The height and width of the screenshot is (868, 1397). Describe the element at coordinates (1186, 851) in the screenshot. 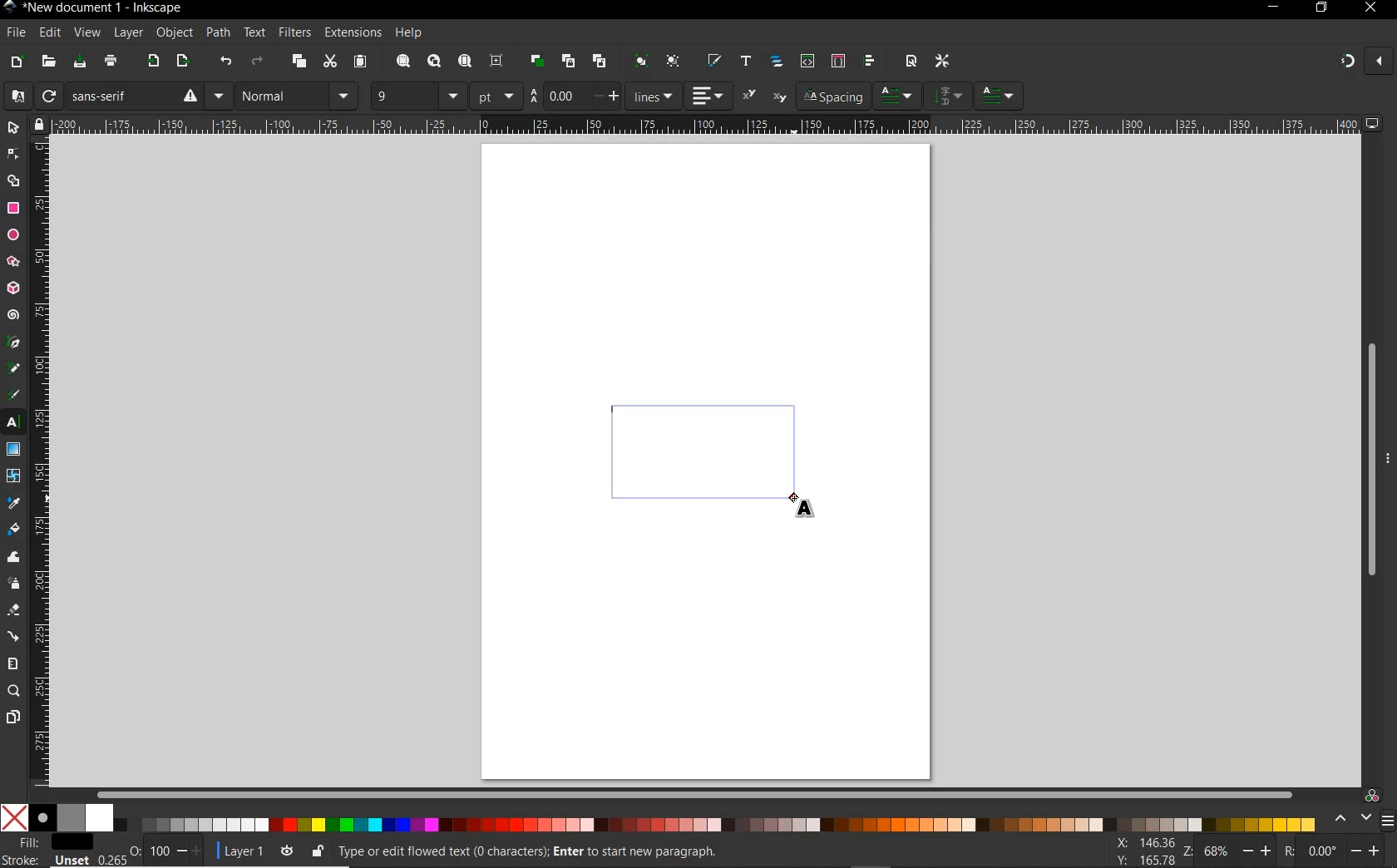

I see `zoom` at that location.